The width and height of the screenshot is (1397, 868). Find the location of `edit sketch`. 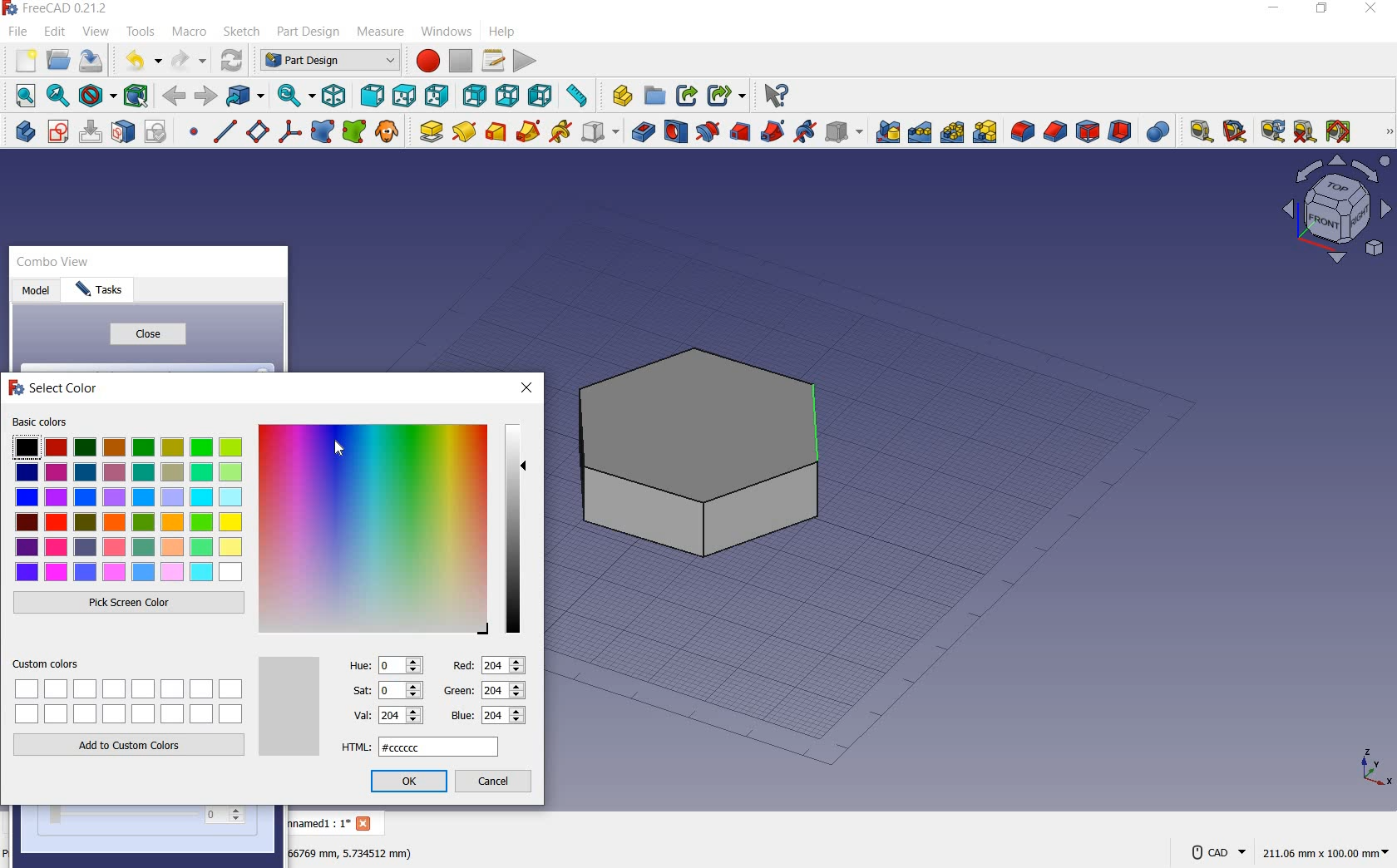

edit sketch is located at coordinates (92, 131).